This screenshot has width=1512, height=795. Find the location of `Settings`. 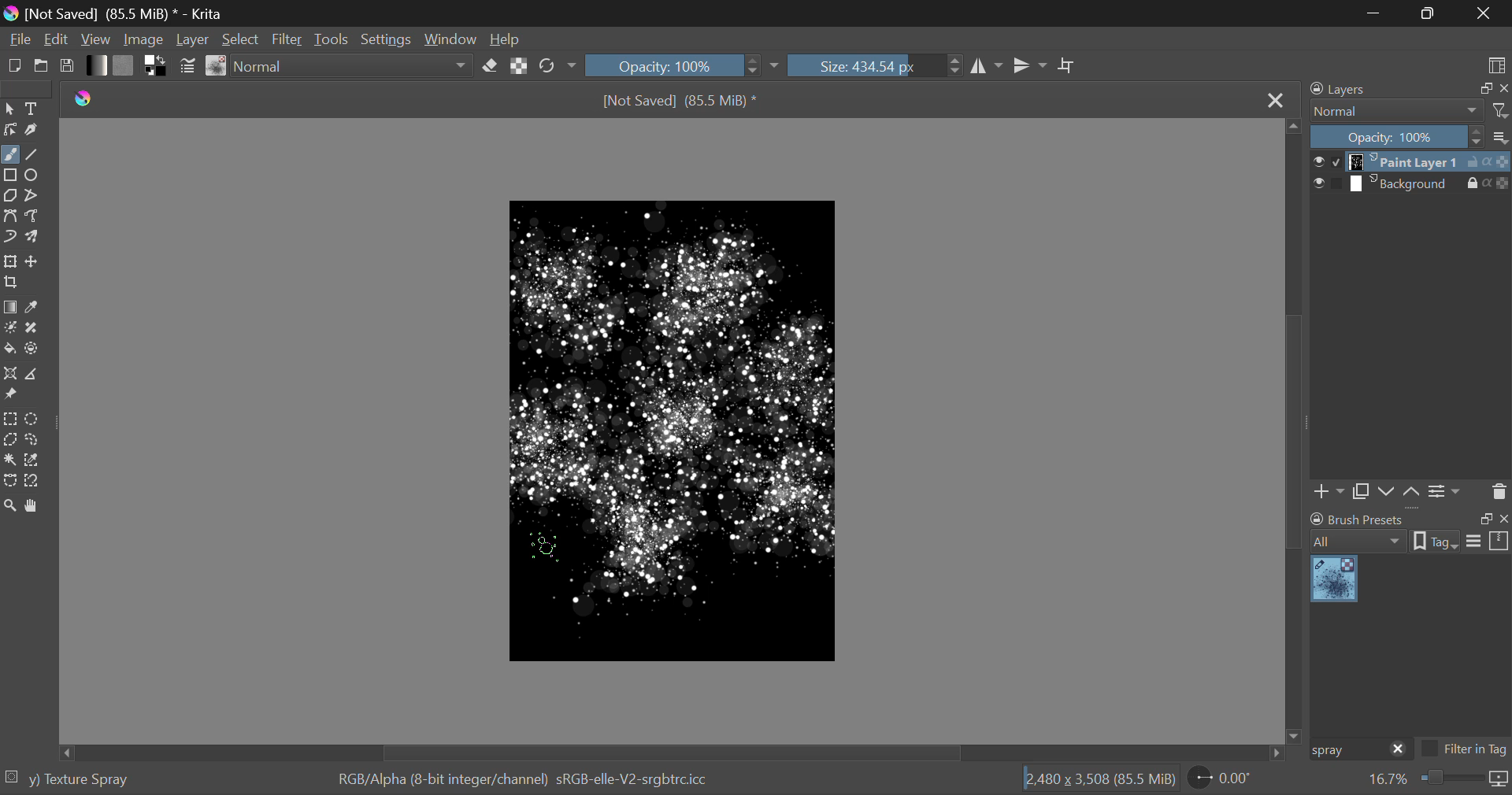

Settings is located at coordinates (1447, 492).